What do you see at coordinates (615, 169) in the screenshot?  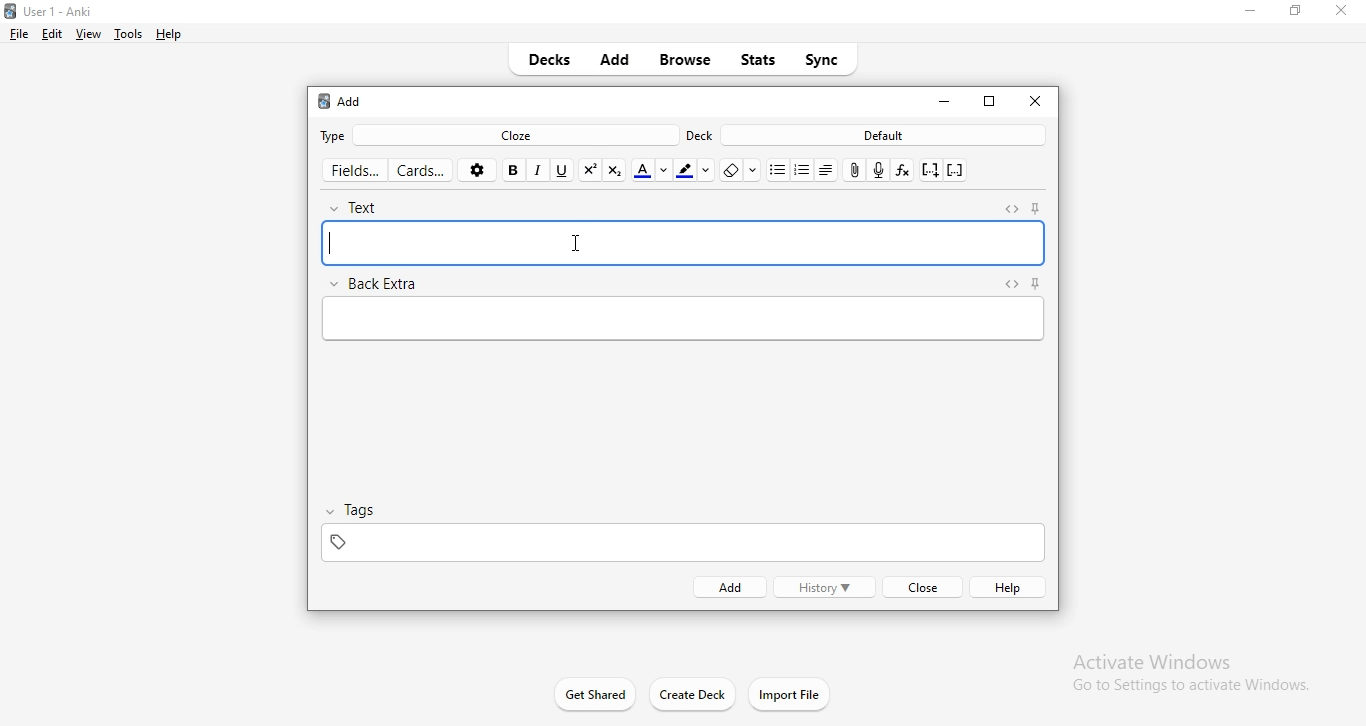 I see `sucscript` at bounding box center [615, 169].